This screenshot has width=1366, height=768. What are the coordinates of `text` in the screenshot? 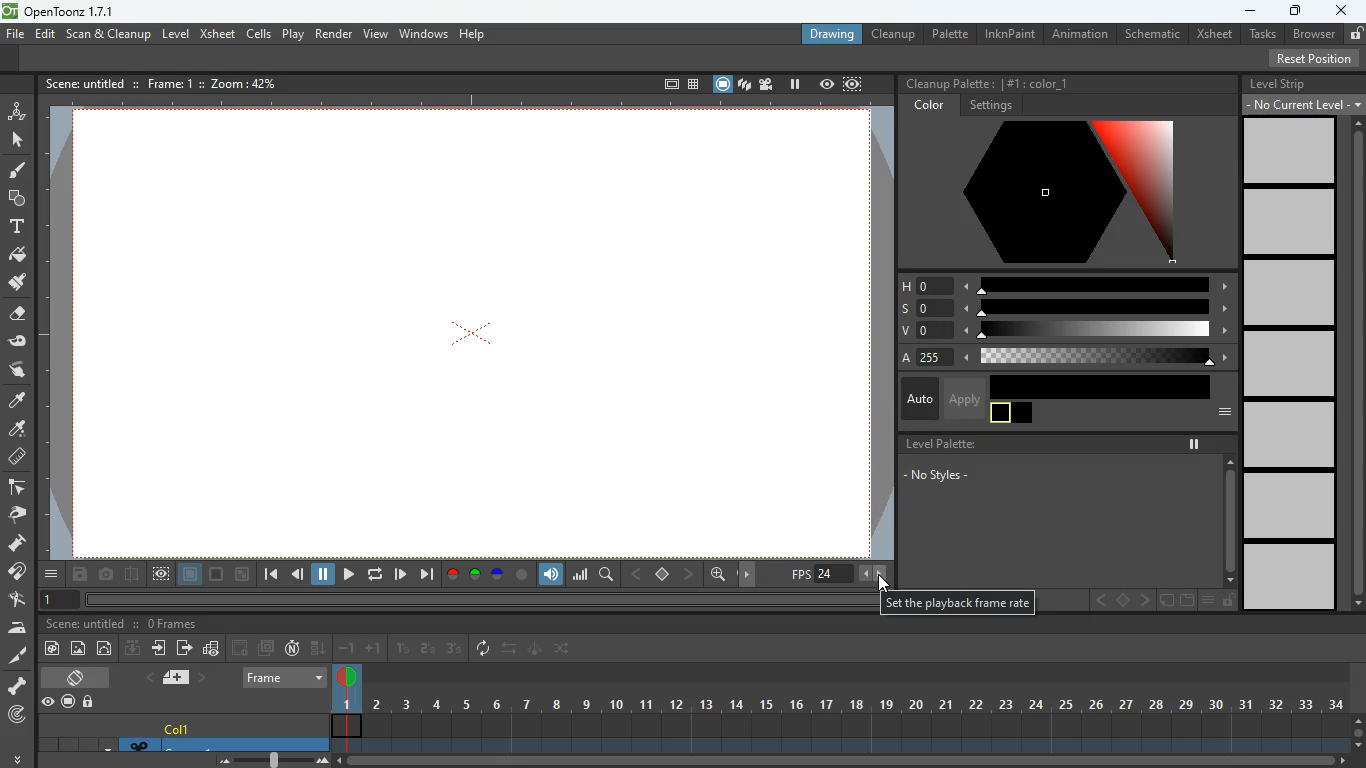 It's located at (16, 227).